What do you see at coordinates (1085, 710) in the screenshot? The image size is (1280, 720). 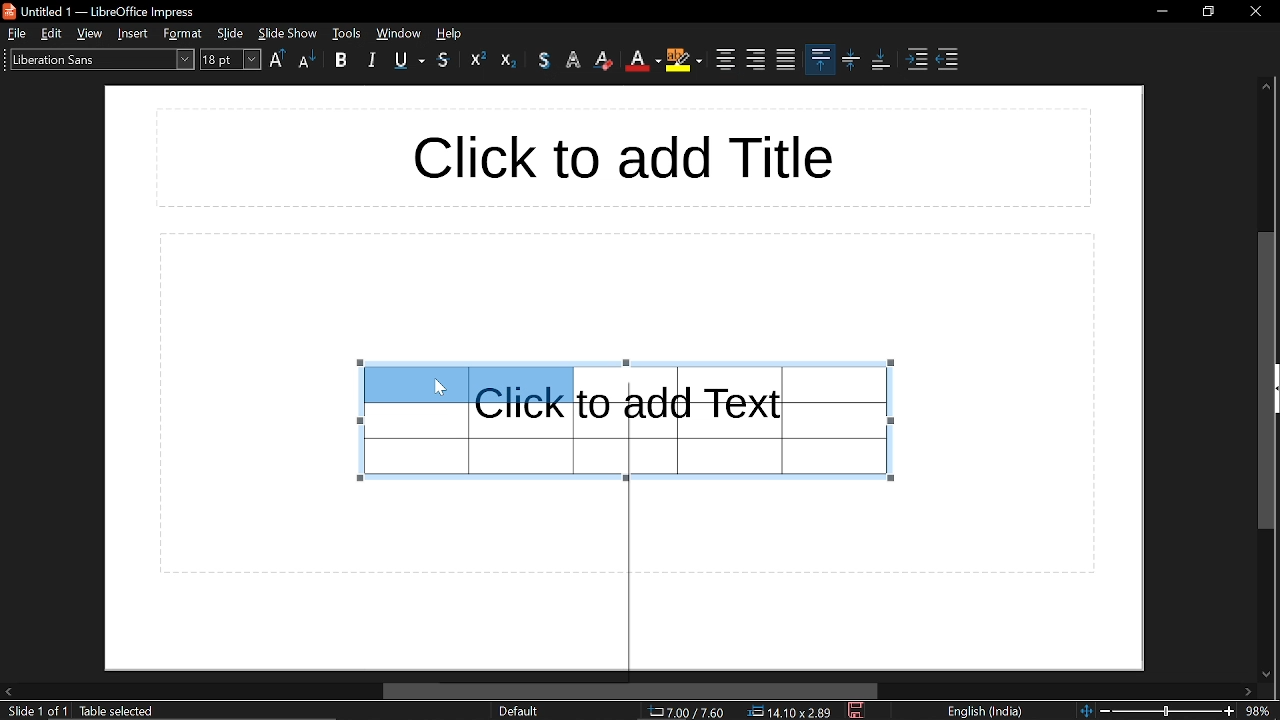 I see `fit to page` at bounding box center [1085, 710].